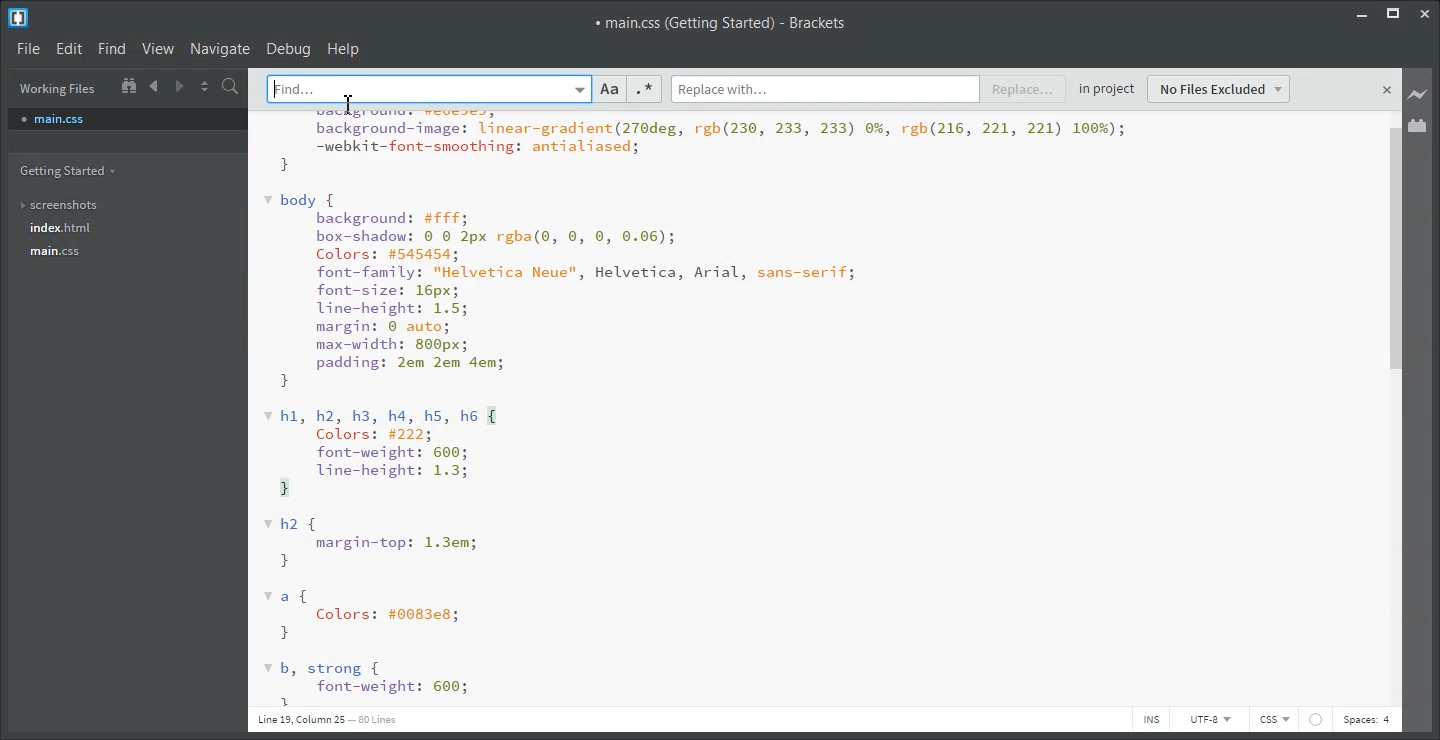  I want to click on Navigate, so click(220, 48).